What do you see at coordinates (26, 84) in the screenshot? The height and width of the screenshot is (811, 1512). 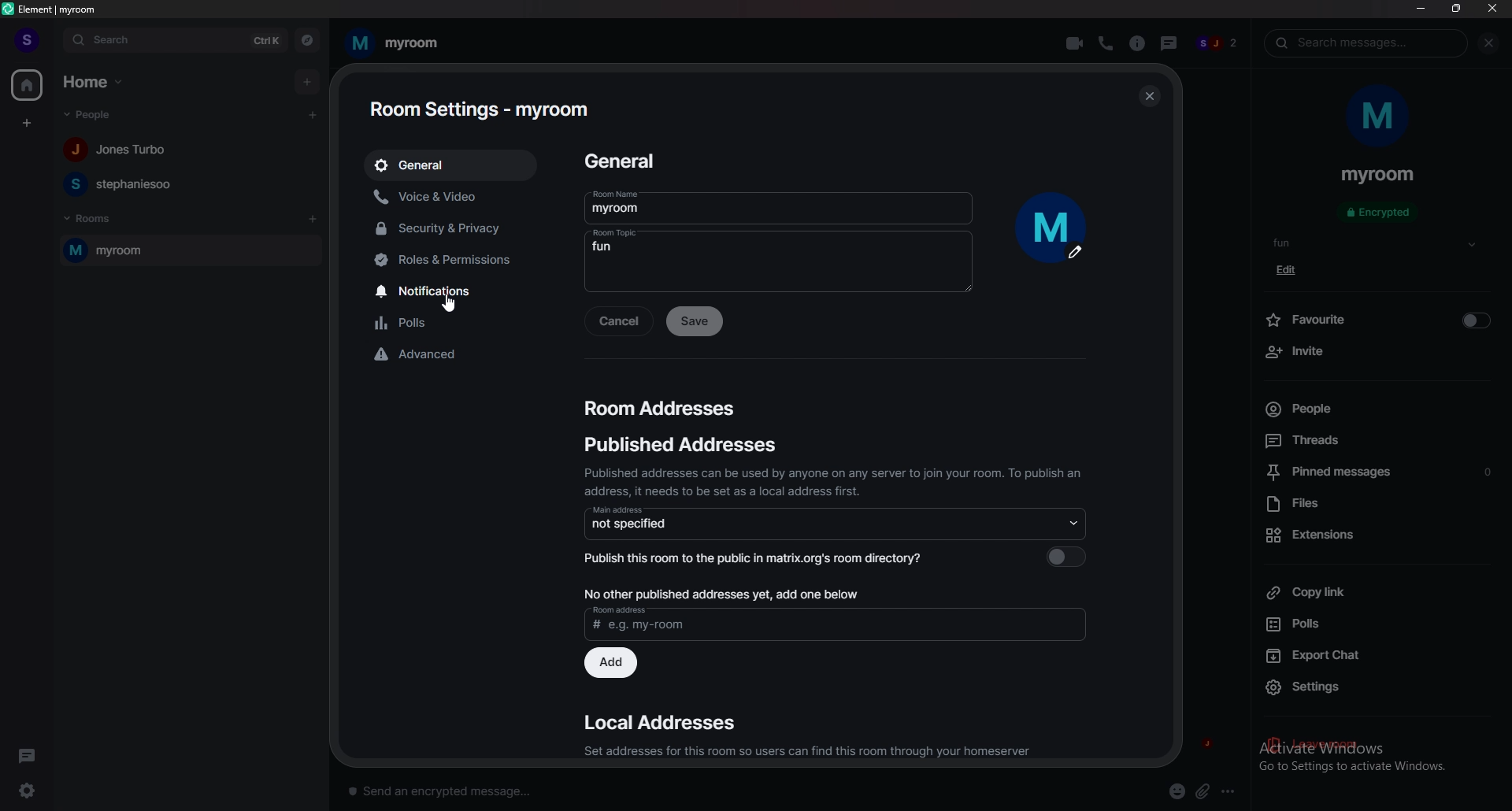 I see `home` at bounding box center [26, 84].